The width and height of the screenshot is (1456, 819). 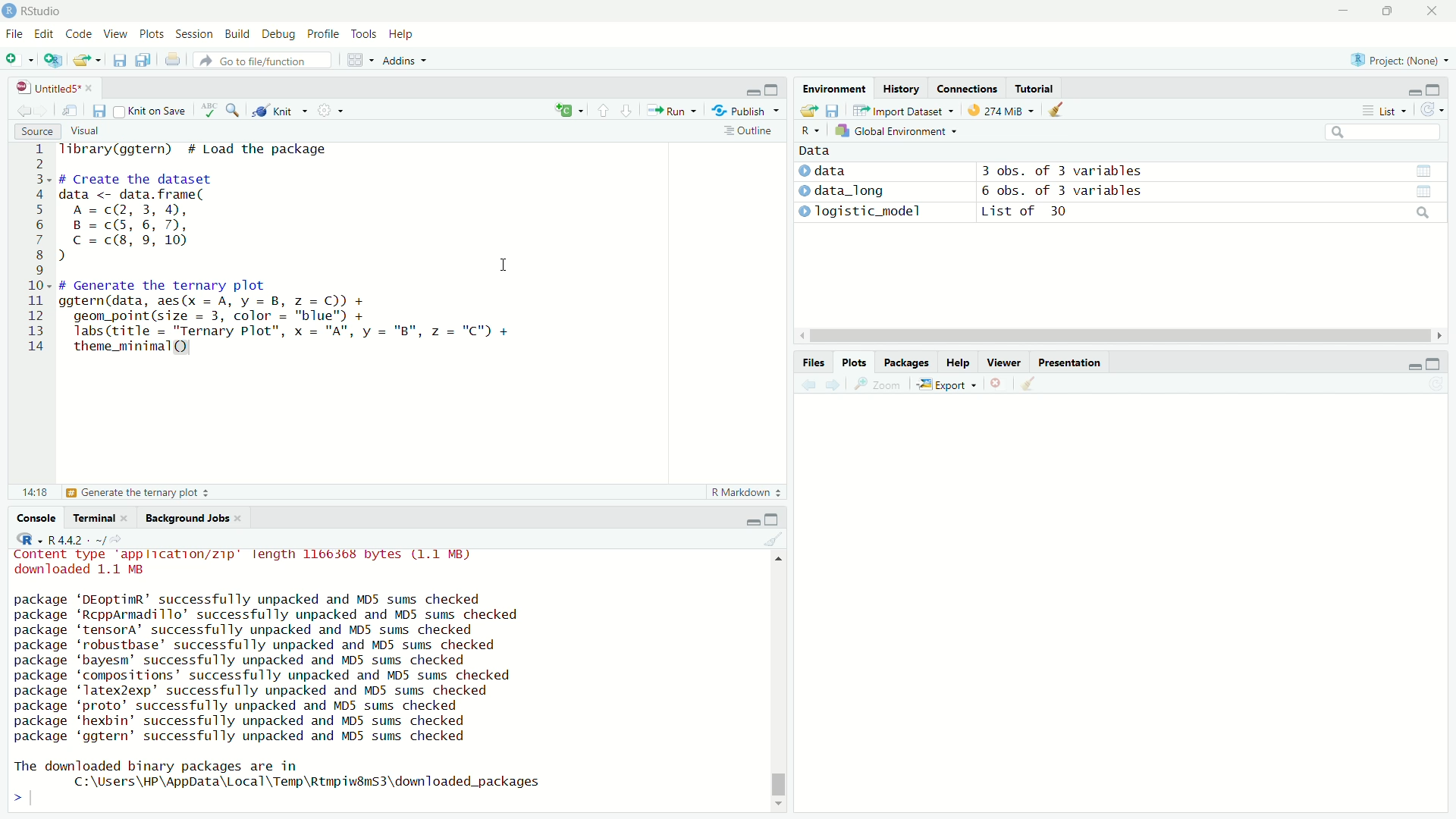 What do you see at coordinates (775, 88) in the screenshot?
I see `maximise` at bounding box center [775, 88].